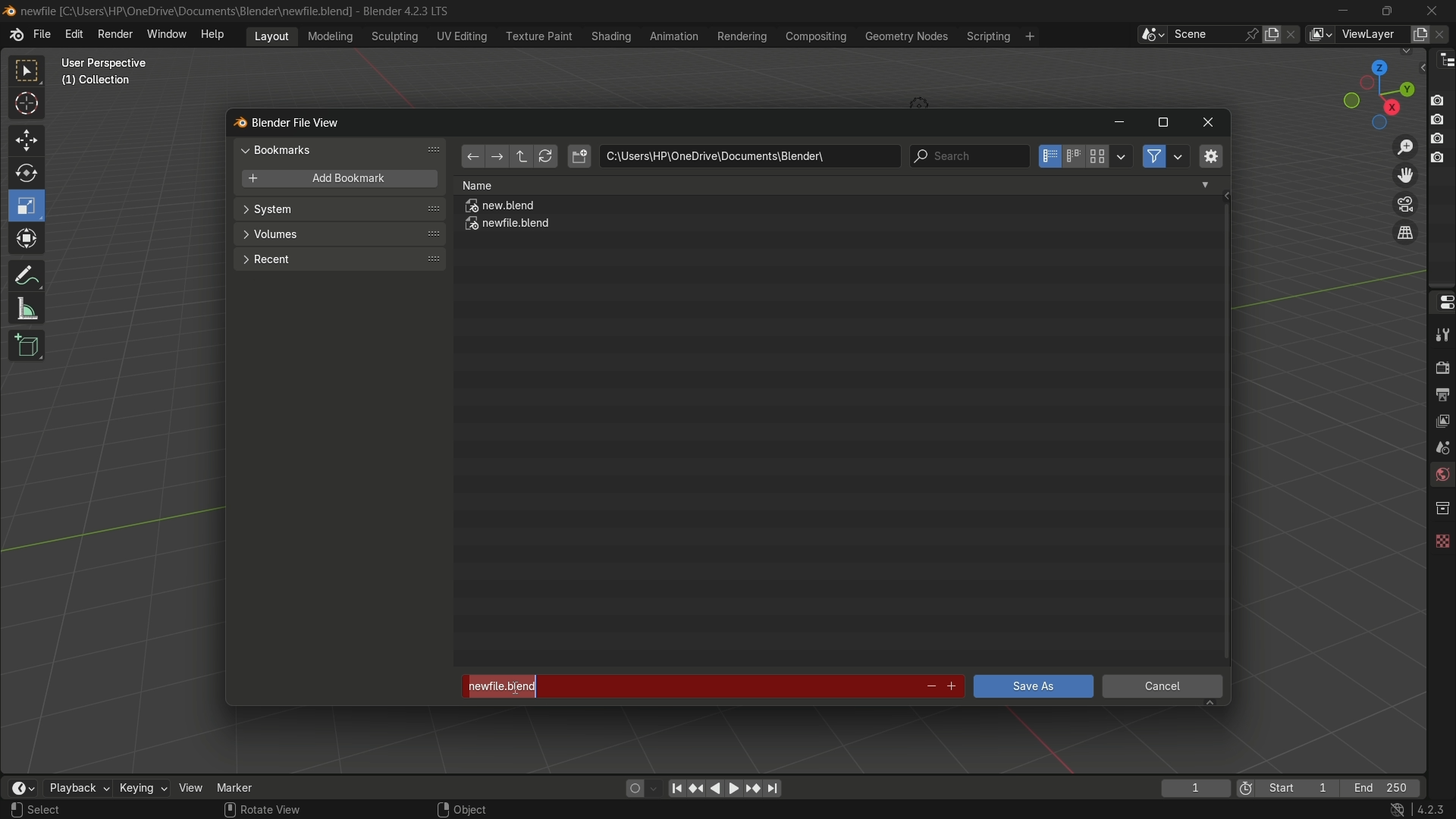 Image resolution: width=1456 pixels, height=819 pixels. I want to click on new directory, so click(579, 156).